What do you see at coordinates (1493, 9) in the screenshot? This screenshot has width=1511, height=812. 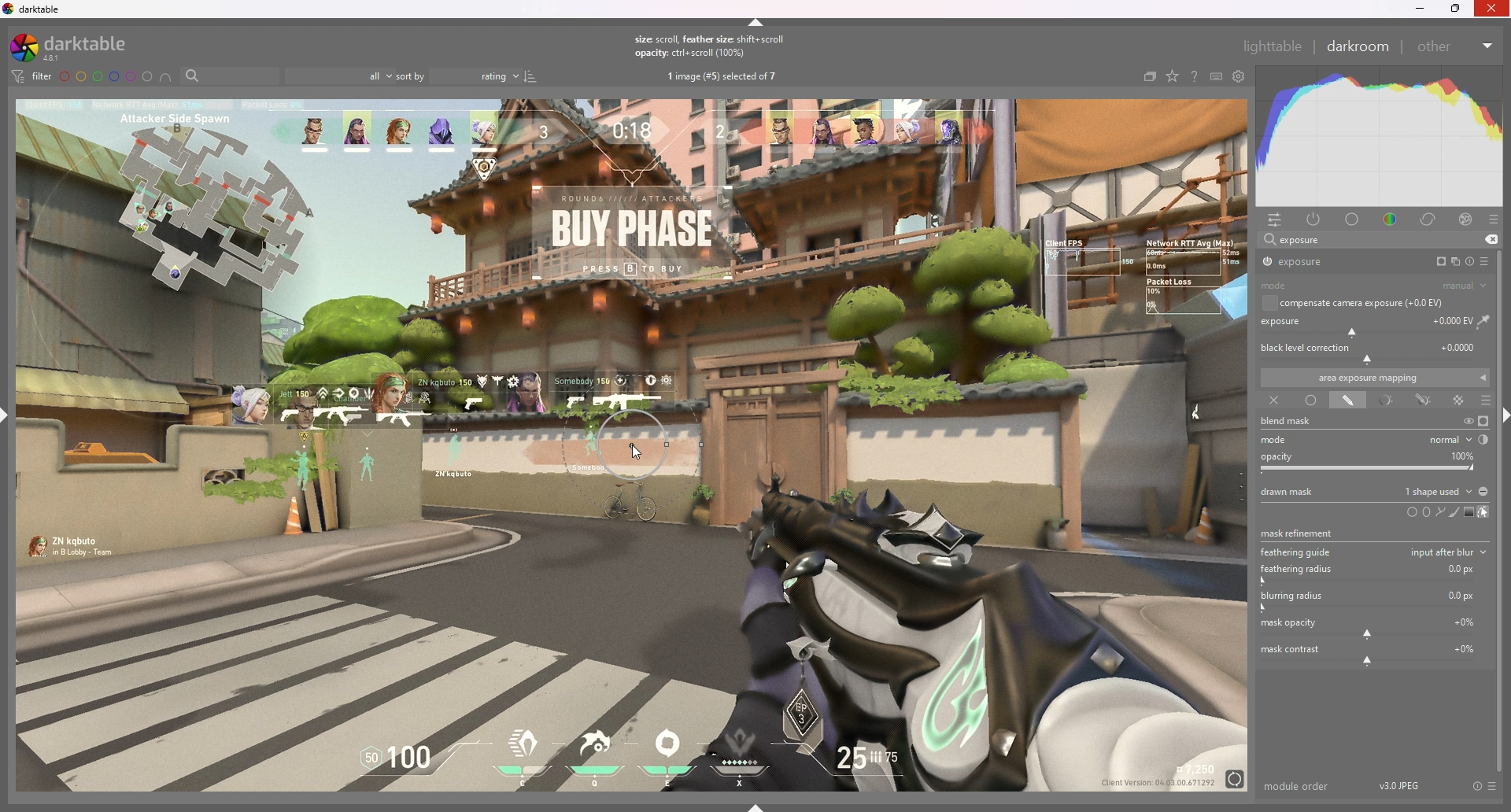 I see `` at bounding box center [1493, 9].